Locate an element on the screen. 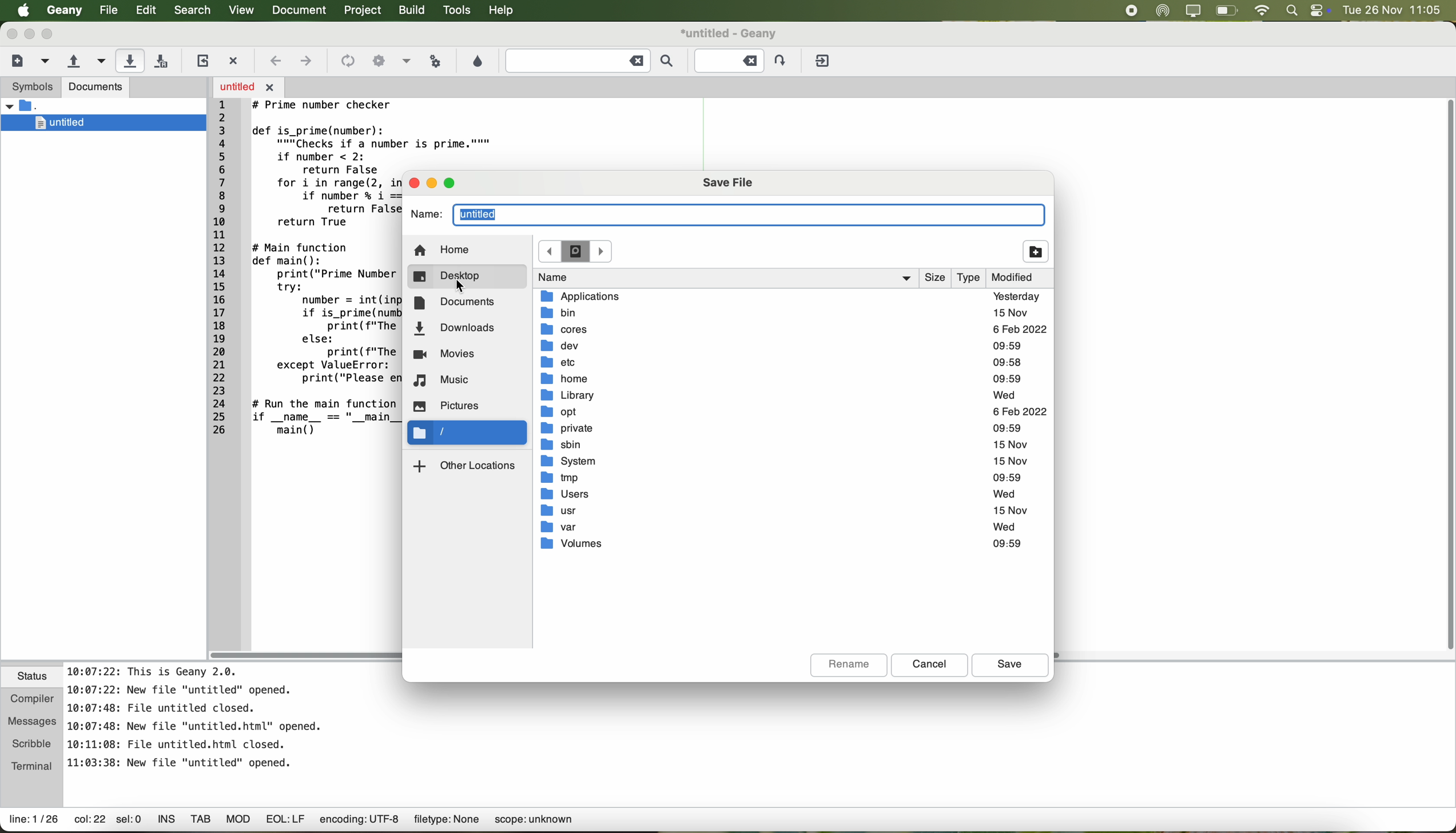  other locations is located at coordinates (467, 465).